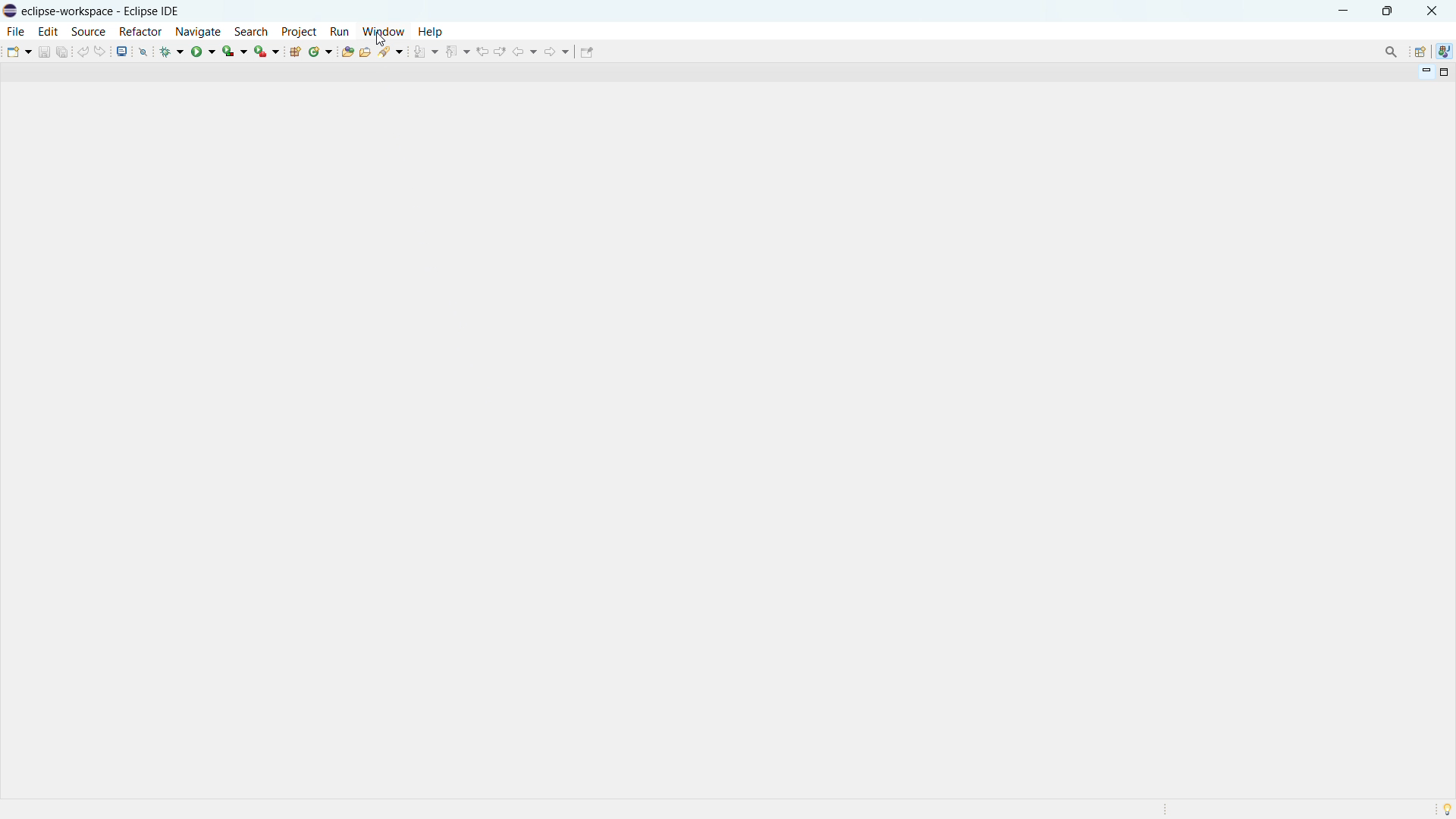 The height and width of the screenshot is (819, 1456). Describe the element at coordinates (394, 52) in the screenshot. I see `search` at that location.